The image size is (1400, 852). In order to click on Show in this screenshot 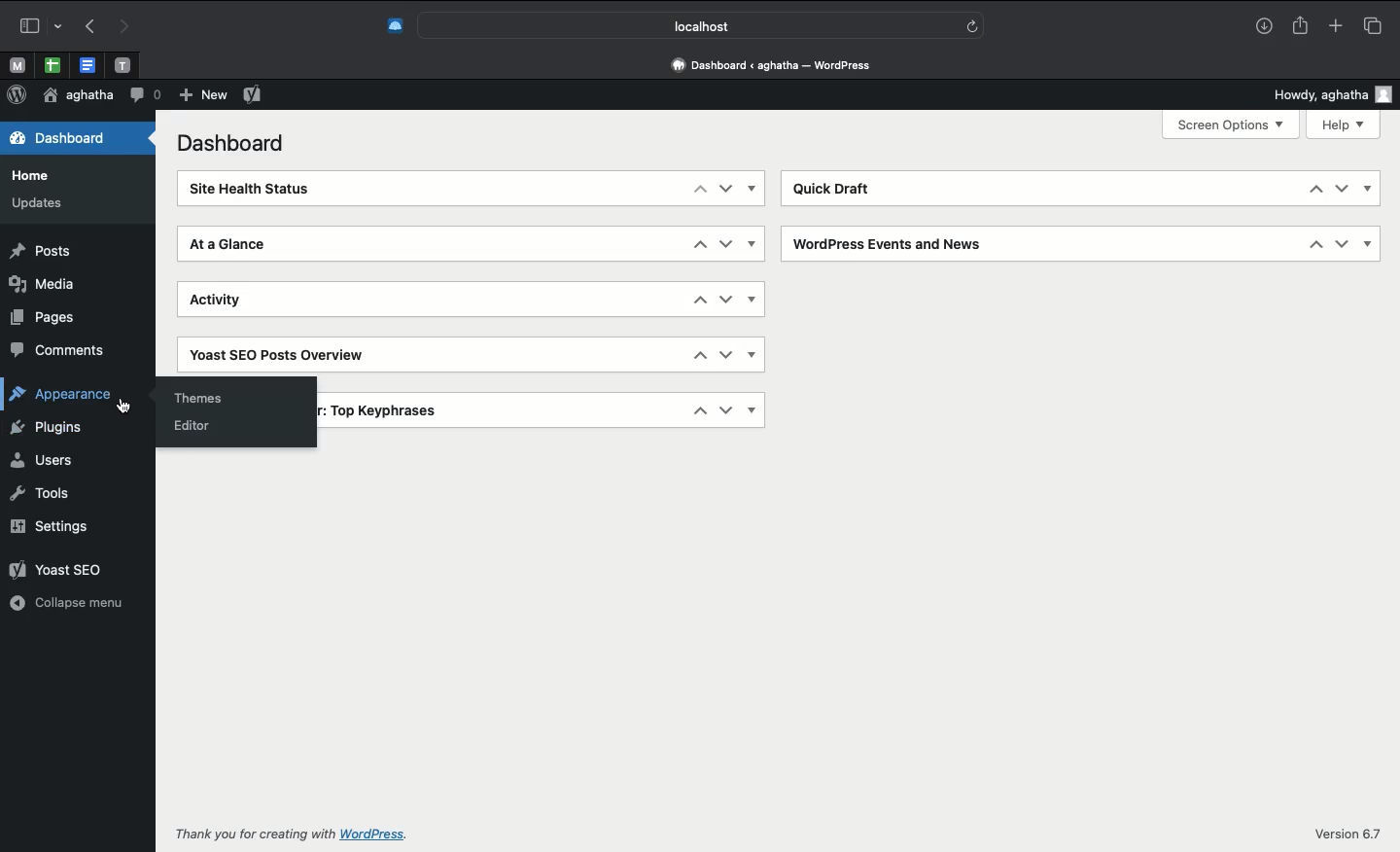, I will do `click(752, 355)`.